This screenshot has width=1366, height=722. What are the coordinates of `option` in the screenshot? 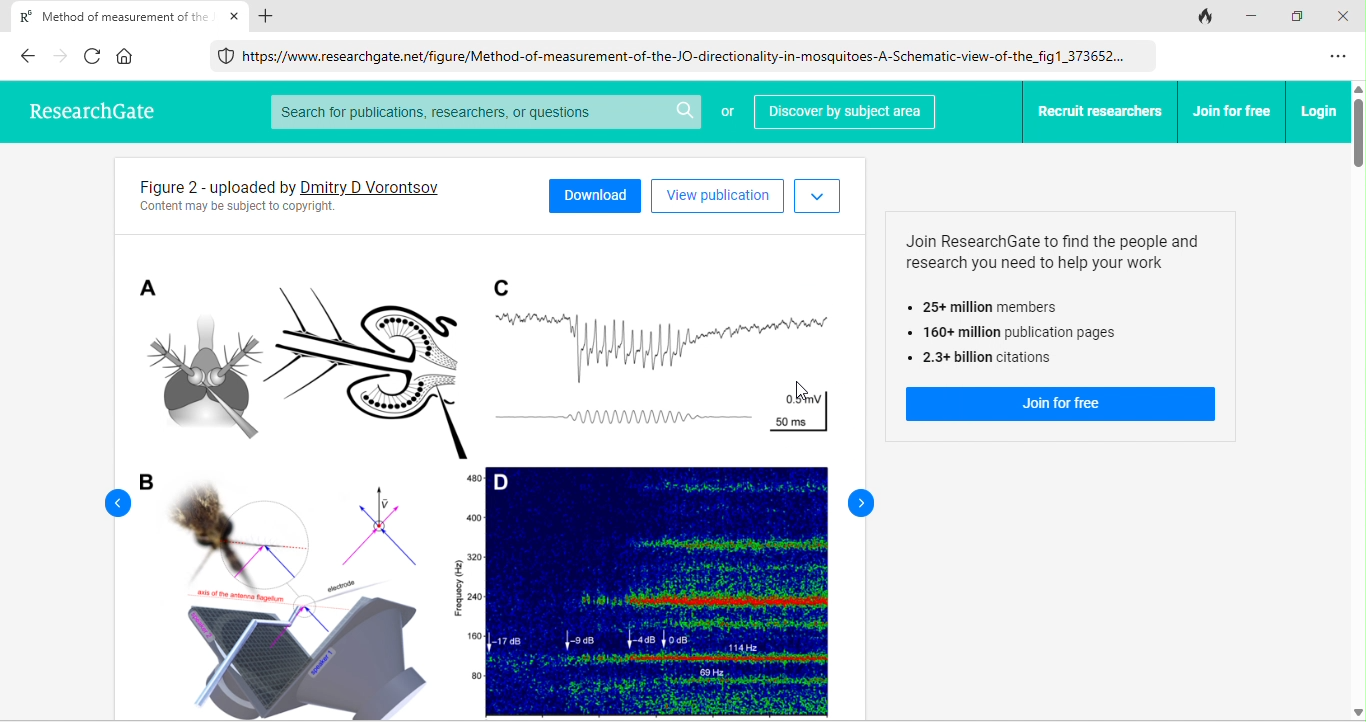 It's located at (1340, 57).